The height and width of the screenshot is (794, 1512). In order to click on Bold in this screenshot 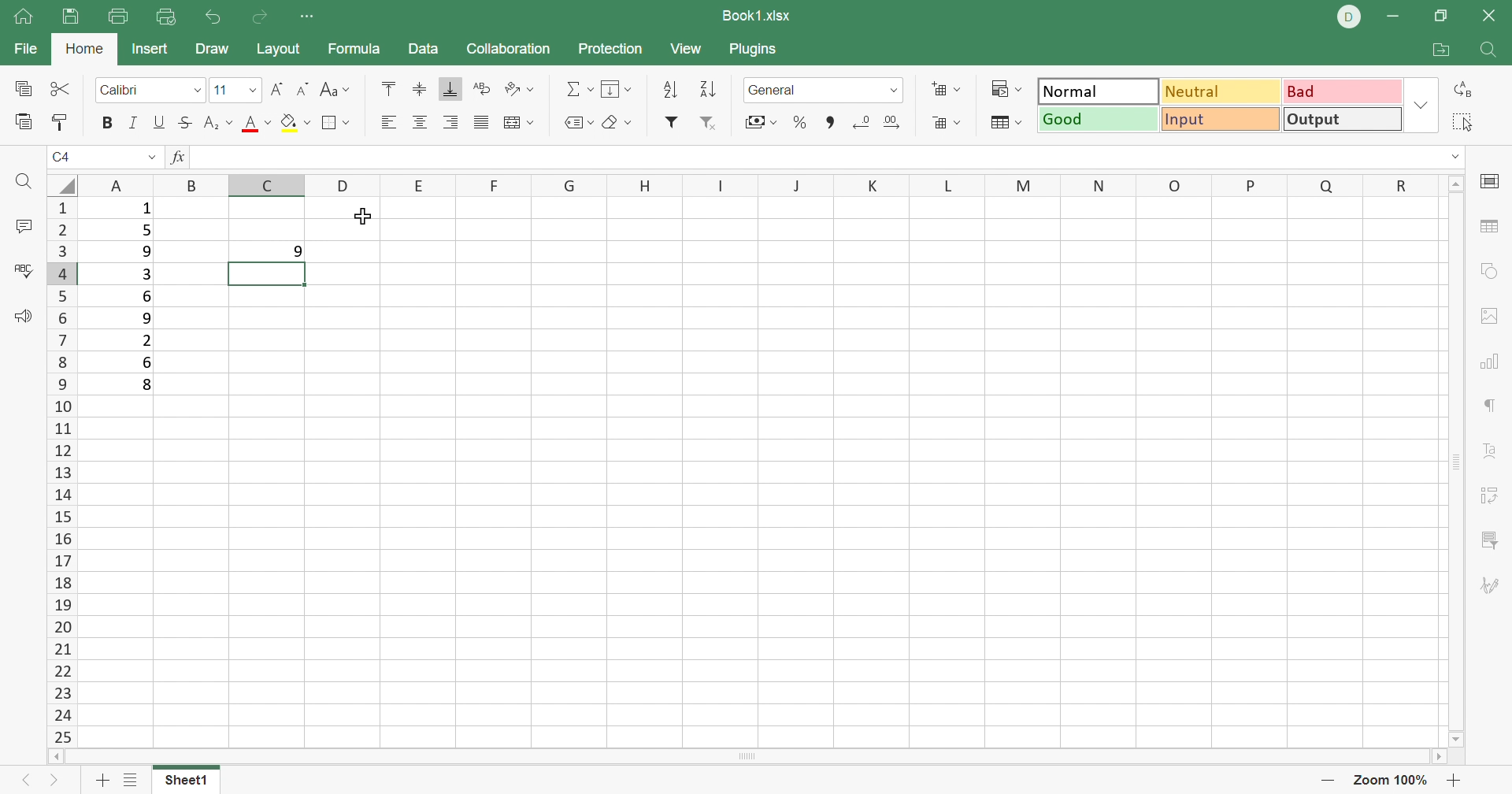, I will do `click(105, 121)`.